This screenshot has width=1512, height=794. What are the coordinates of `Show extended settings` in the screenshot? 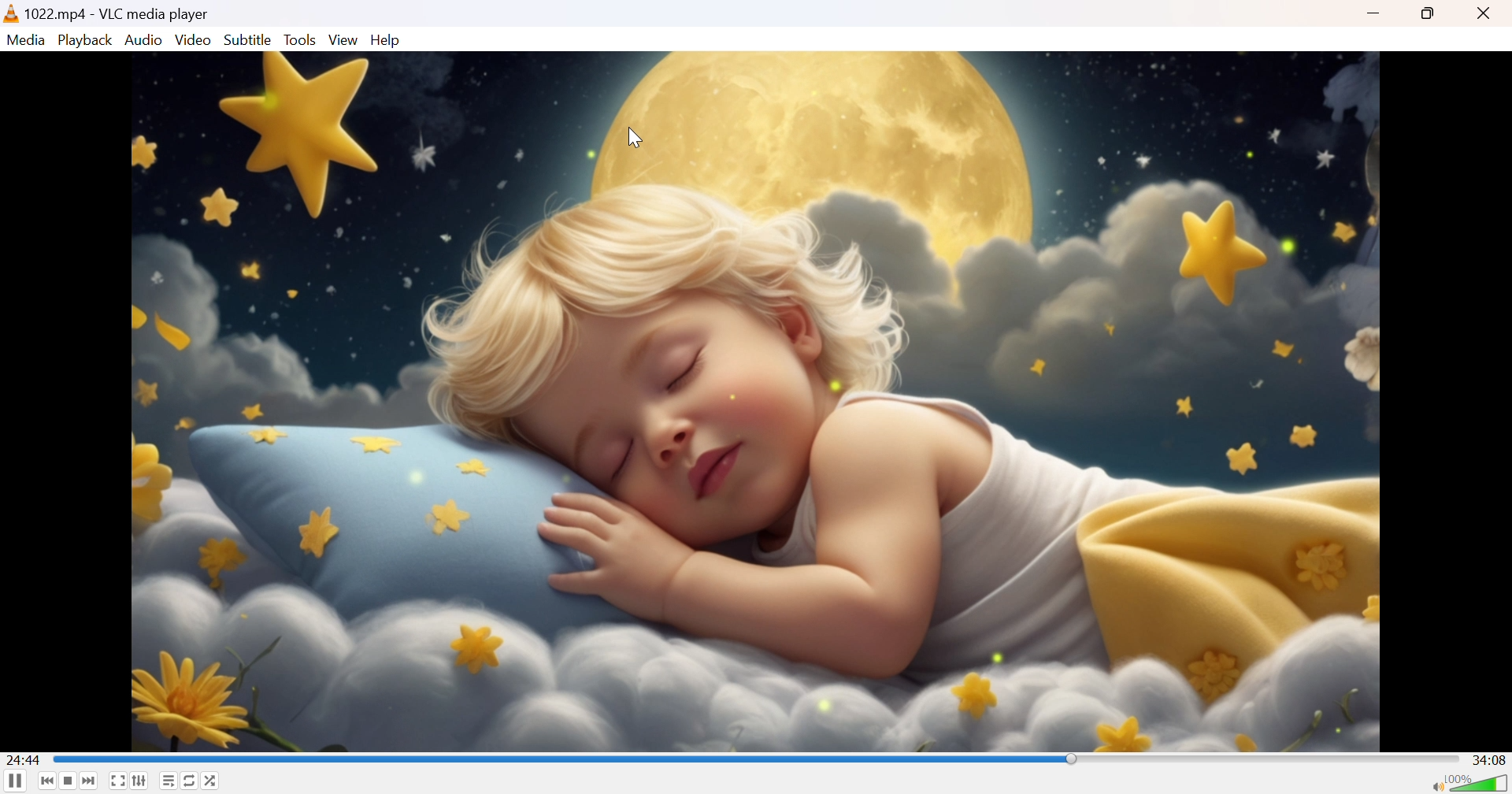 It's located at (139, 781).